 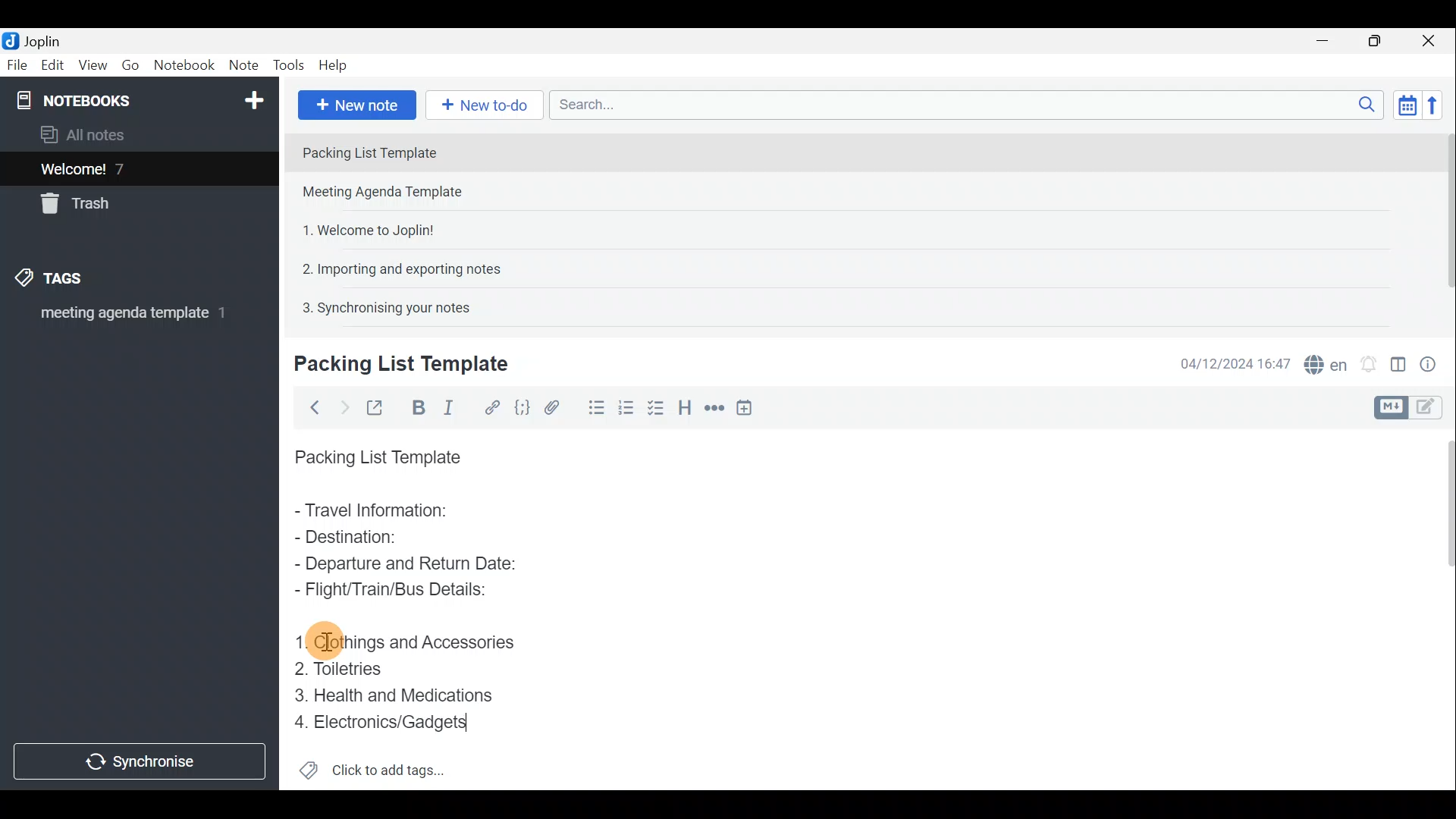 I want to click on Horizontal rule, so click(x=712, y=408).